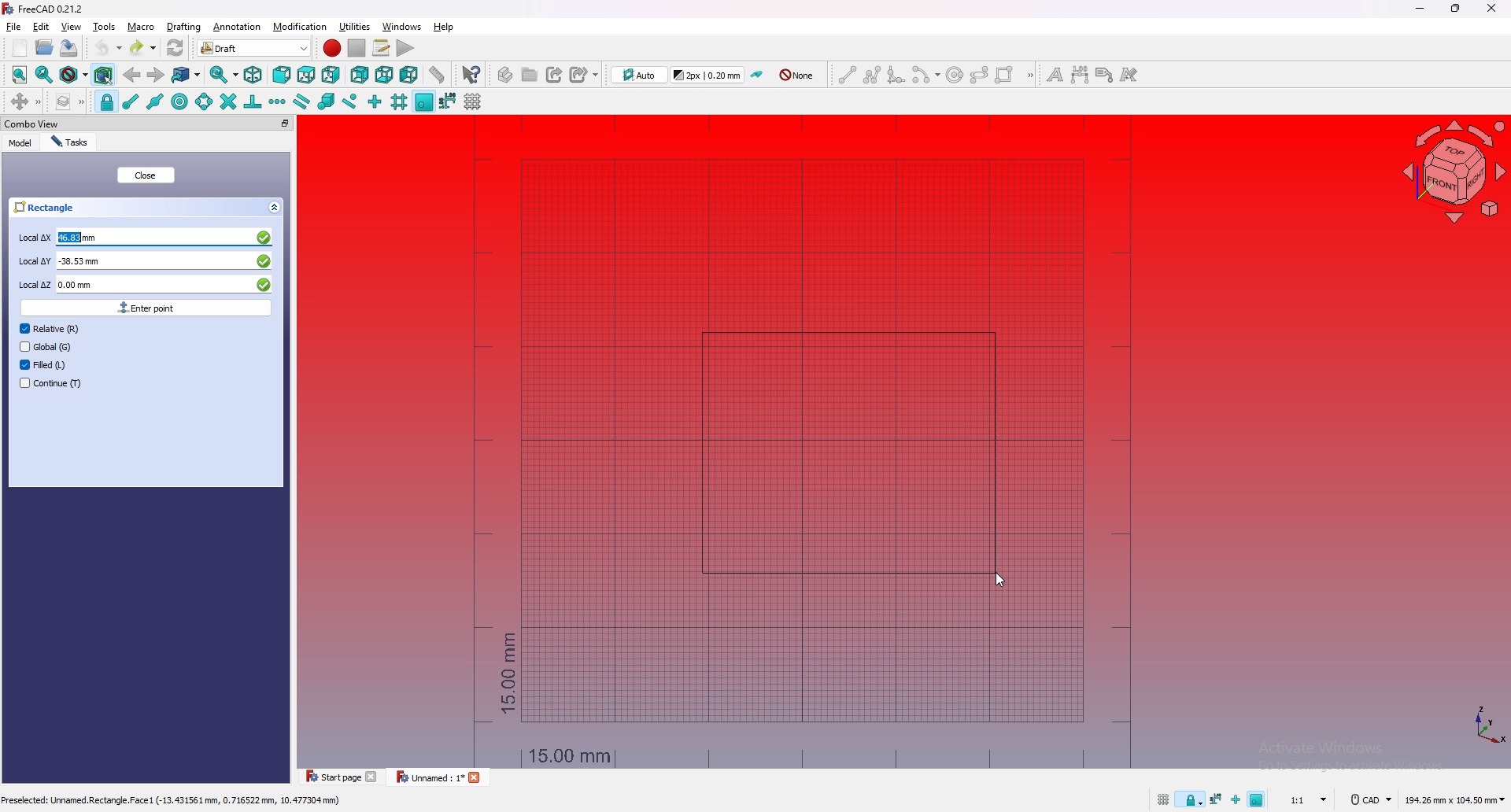  I want to click on snap lock, so click(106, 101).